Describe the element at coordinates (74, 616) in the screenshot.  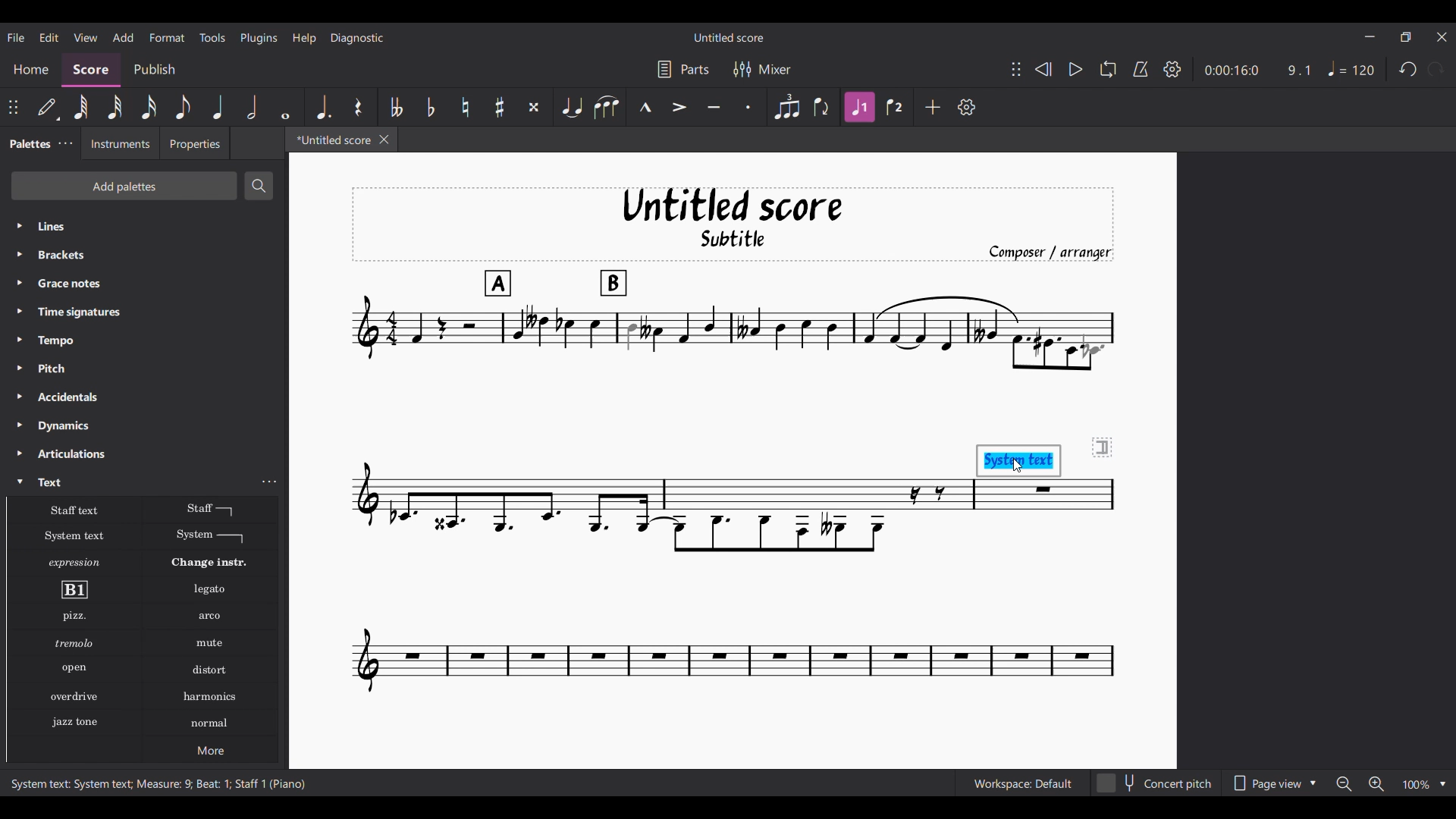
I see `Pizzicato` at that location.